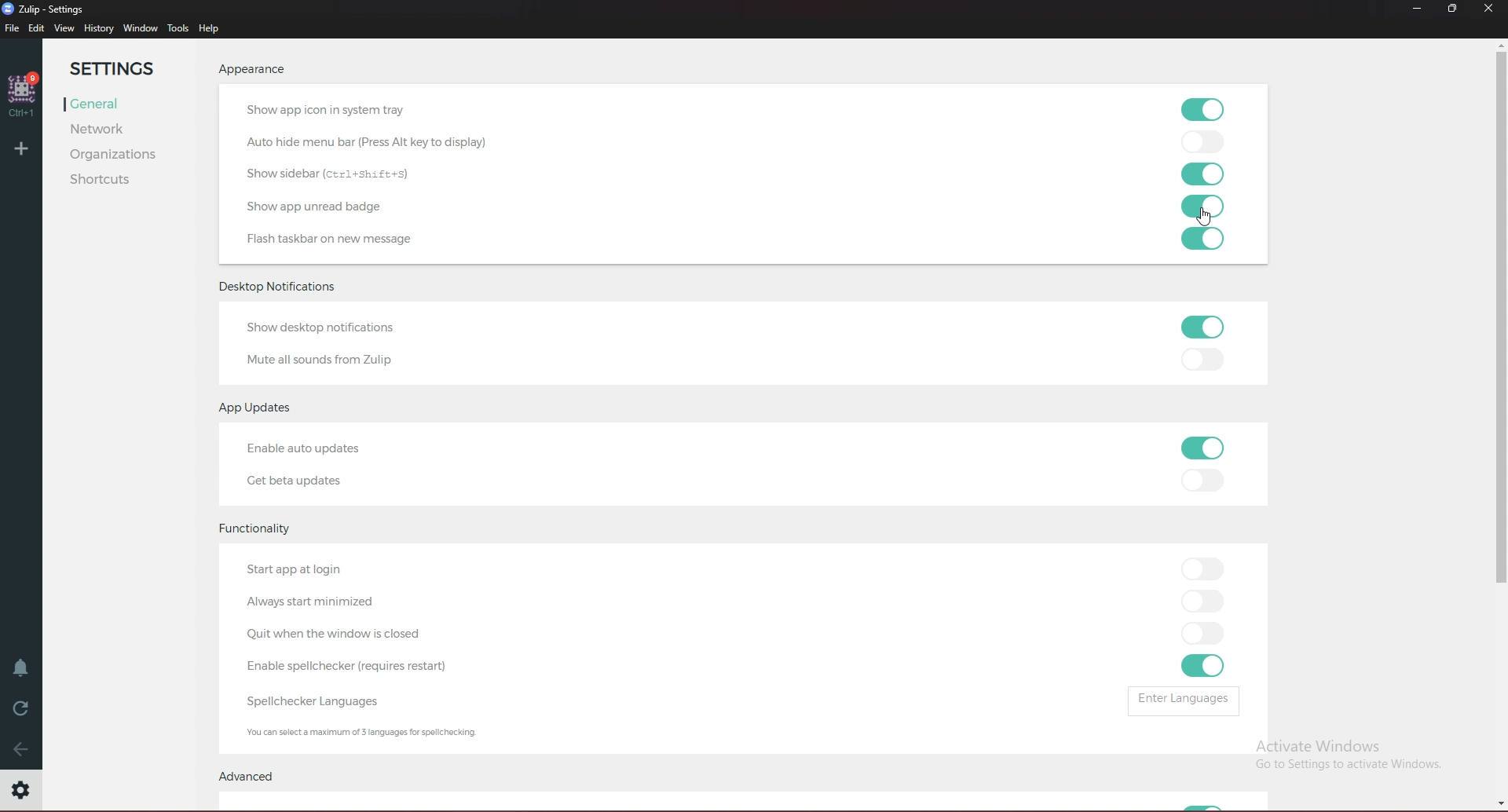  What do you see at coordinates (328, 360) in the screenshot?
I see `Mute all sounds from Zulip` at bounding box center [328, 360].